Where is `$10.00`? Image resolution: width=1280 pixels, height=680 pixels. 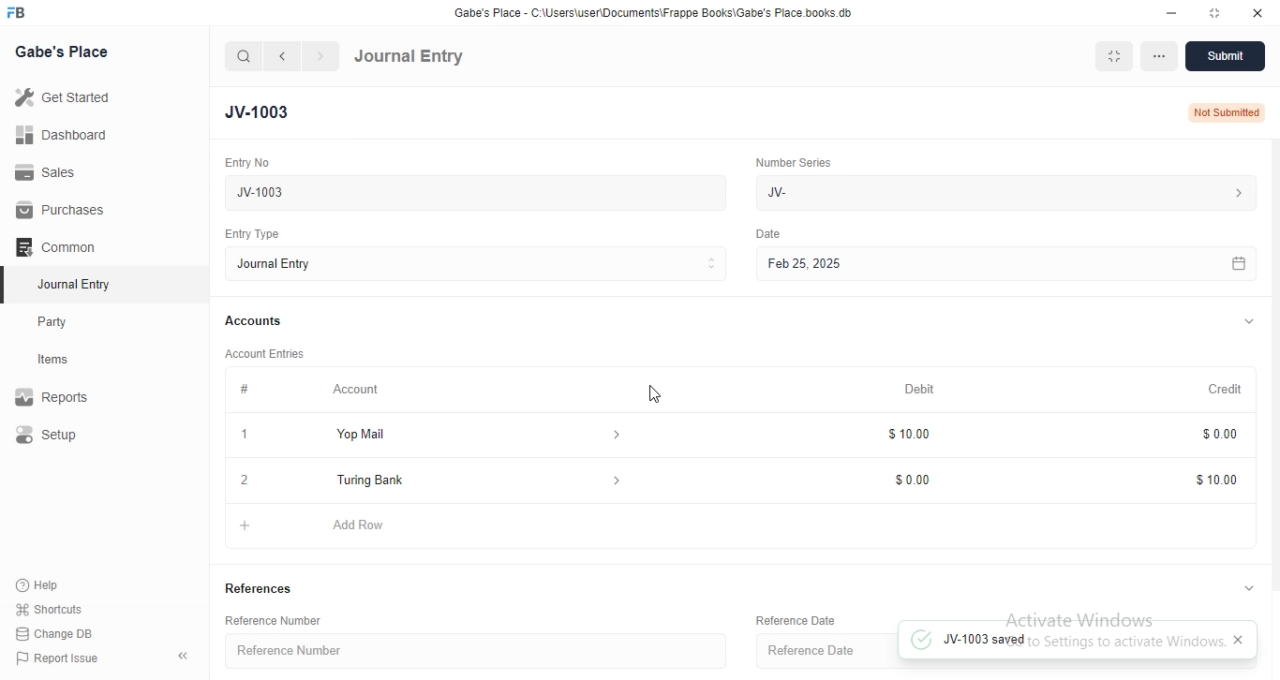
$10.00 is located at coordinates (911, 435).